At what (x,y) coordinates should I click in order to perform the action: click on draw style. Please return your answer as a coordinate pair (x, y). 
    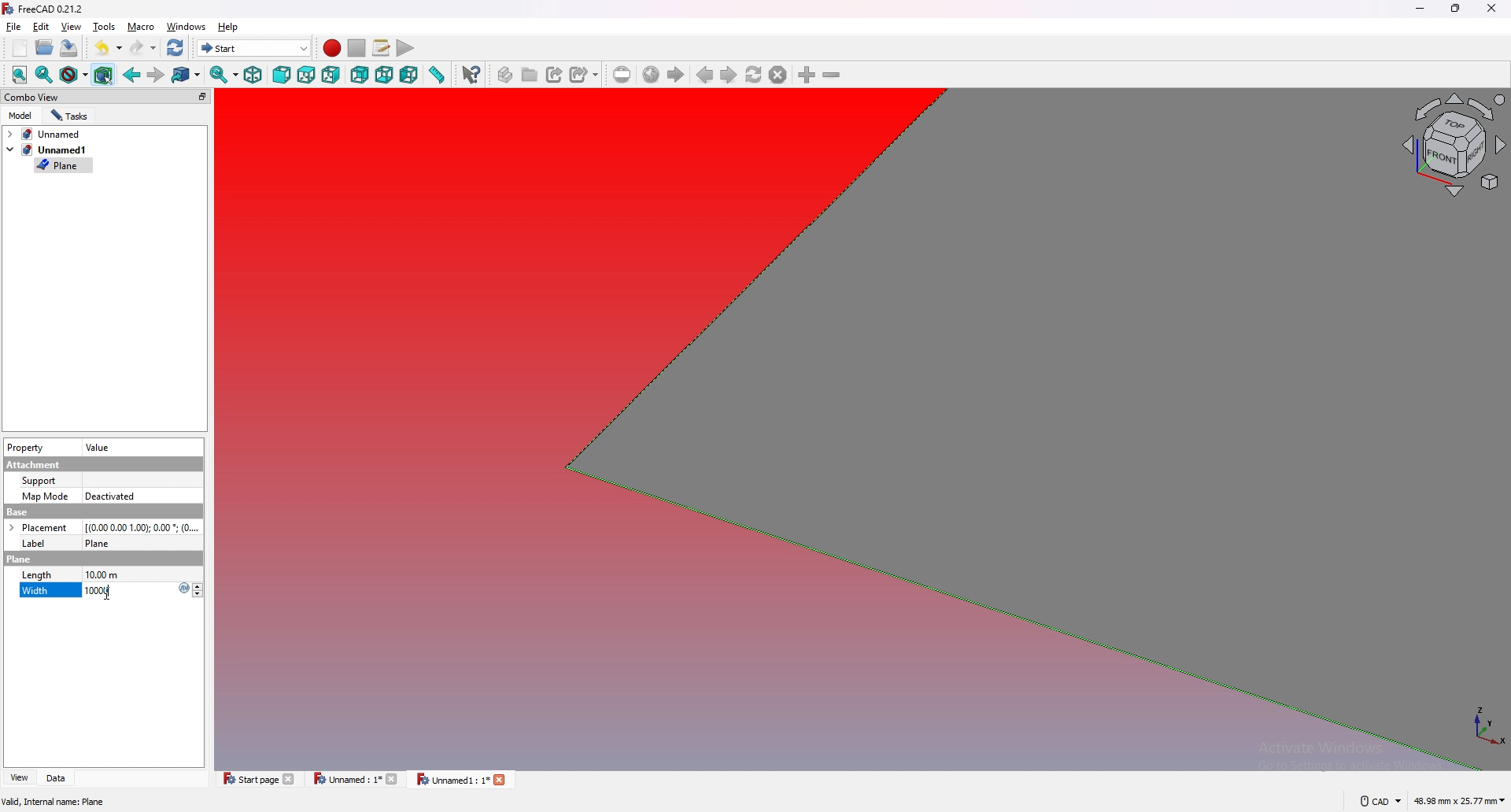
    Looking at the image, I should click on (74, 75).